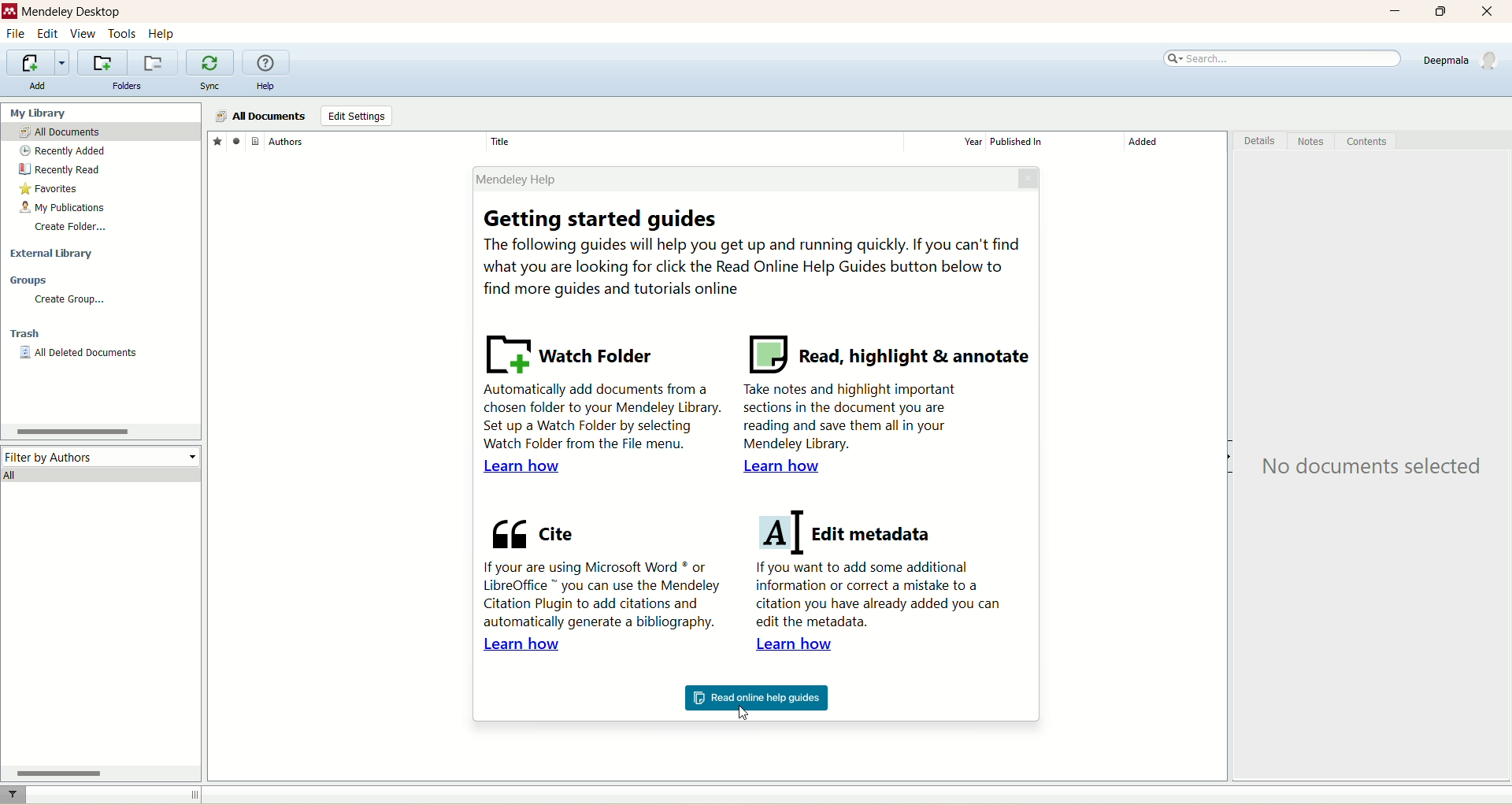 This screenshot has height=805, width=1512. What do you see at coordinates (261, 117) in the screenshot?
I see `all documents` at bounding box center [261, 117].